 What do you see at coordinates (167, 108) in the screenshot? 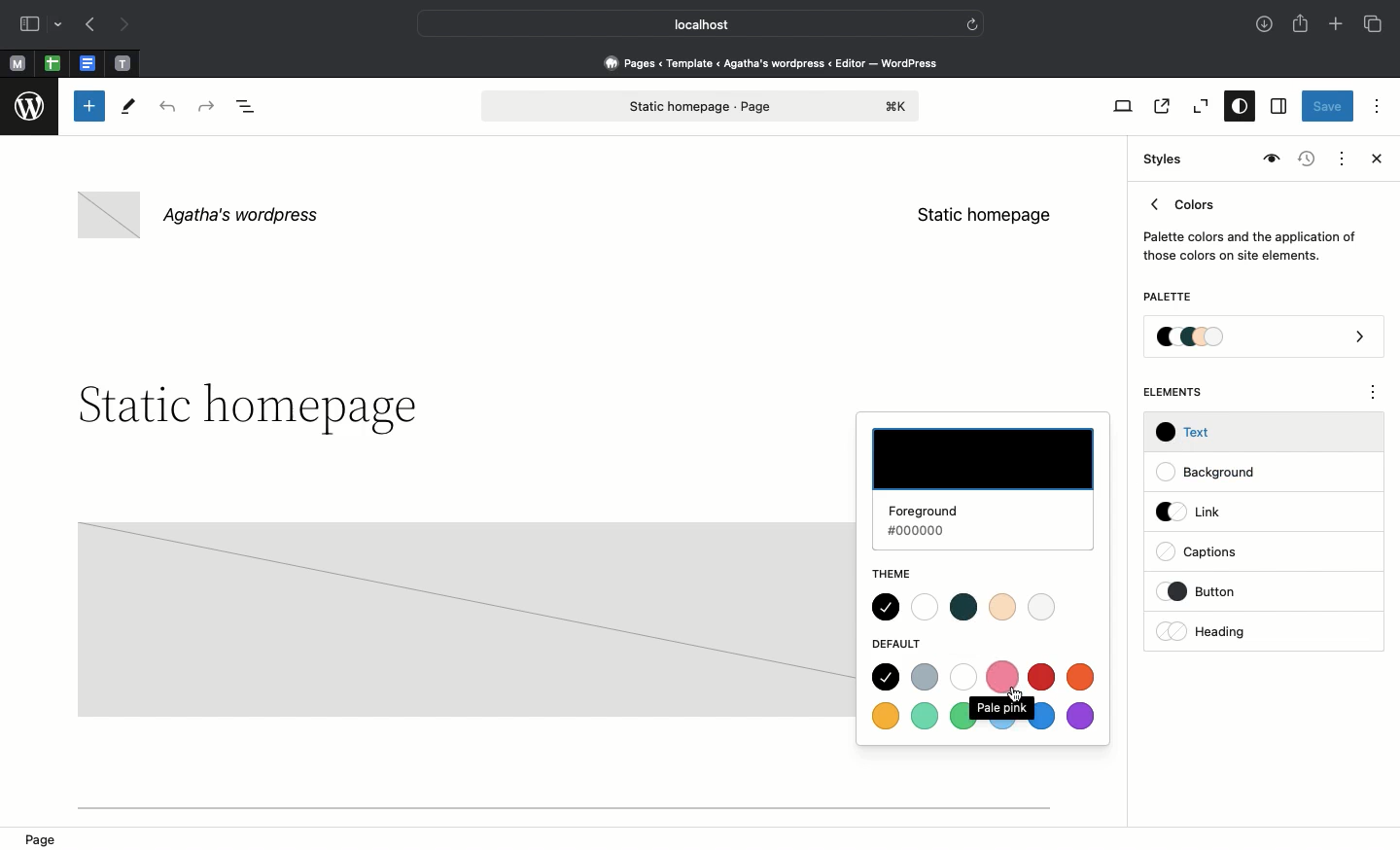
I see `Undo` at bounding box center [167, 108].